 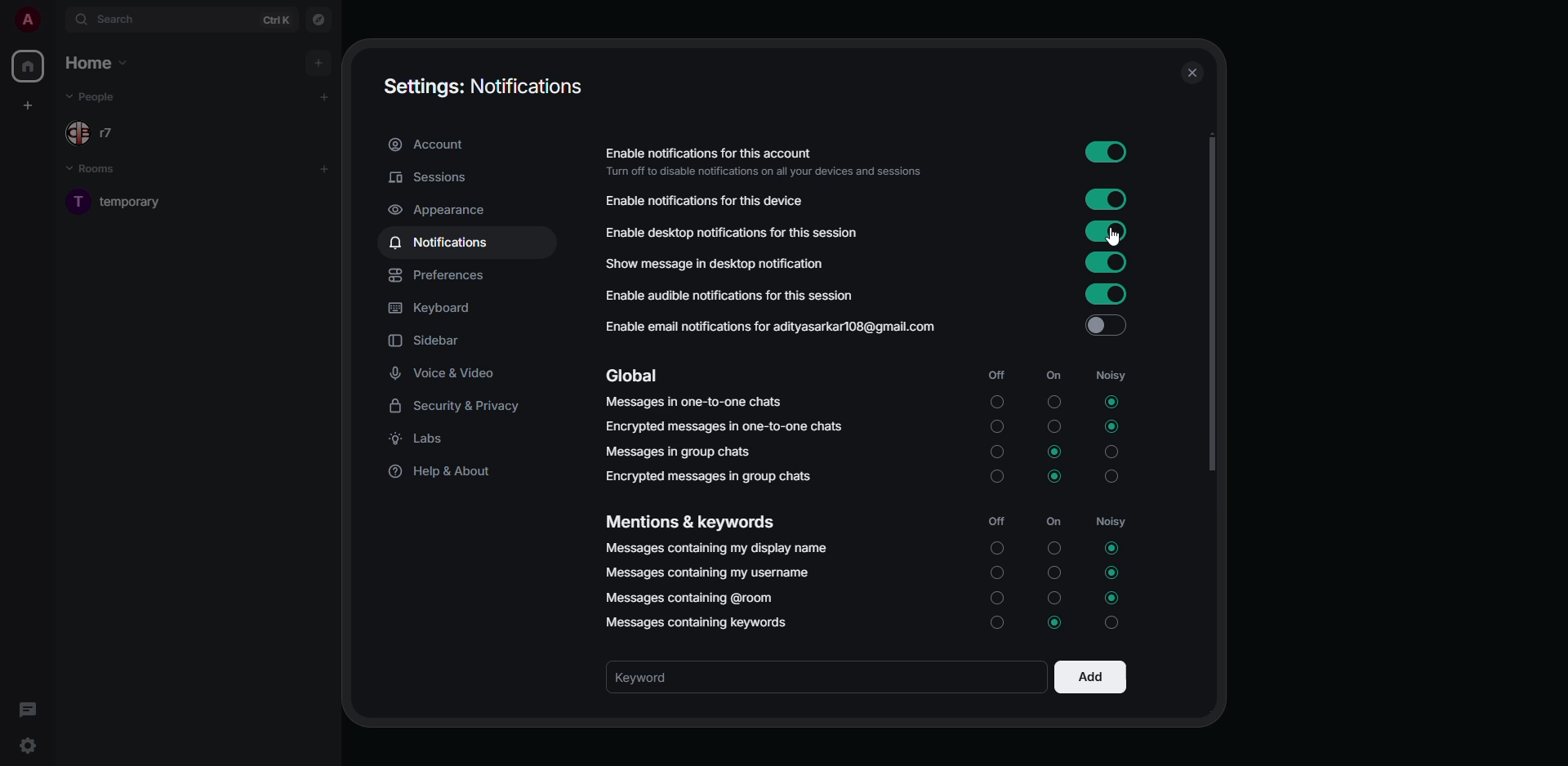 What do you see at coordinates (1054, 376) in the screenshot?
I see `on` at bounding box center [1054, 376].